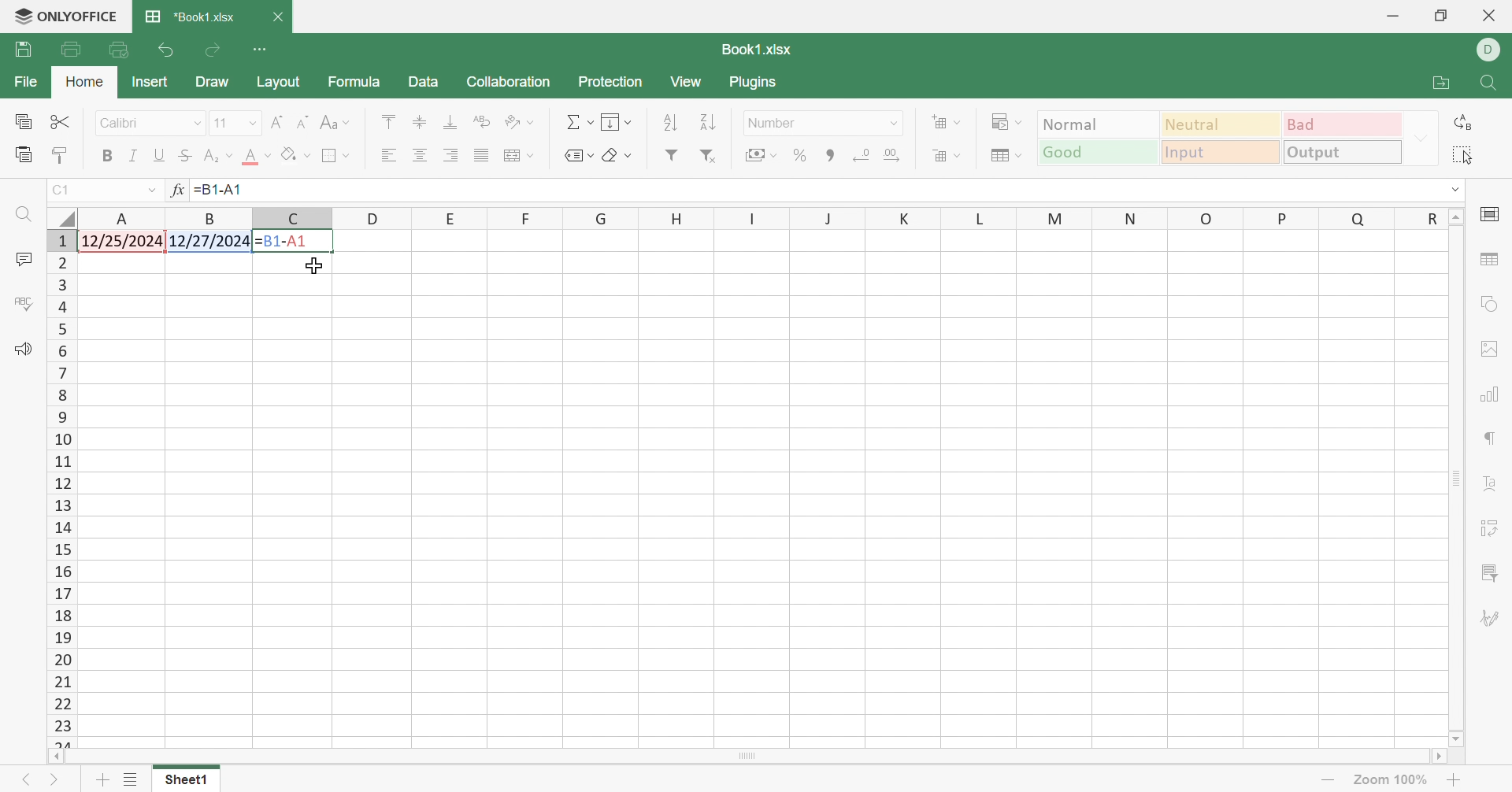 This screenshot has width=1512, height=792. I want to click on Fill color, so click(299, 154).